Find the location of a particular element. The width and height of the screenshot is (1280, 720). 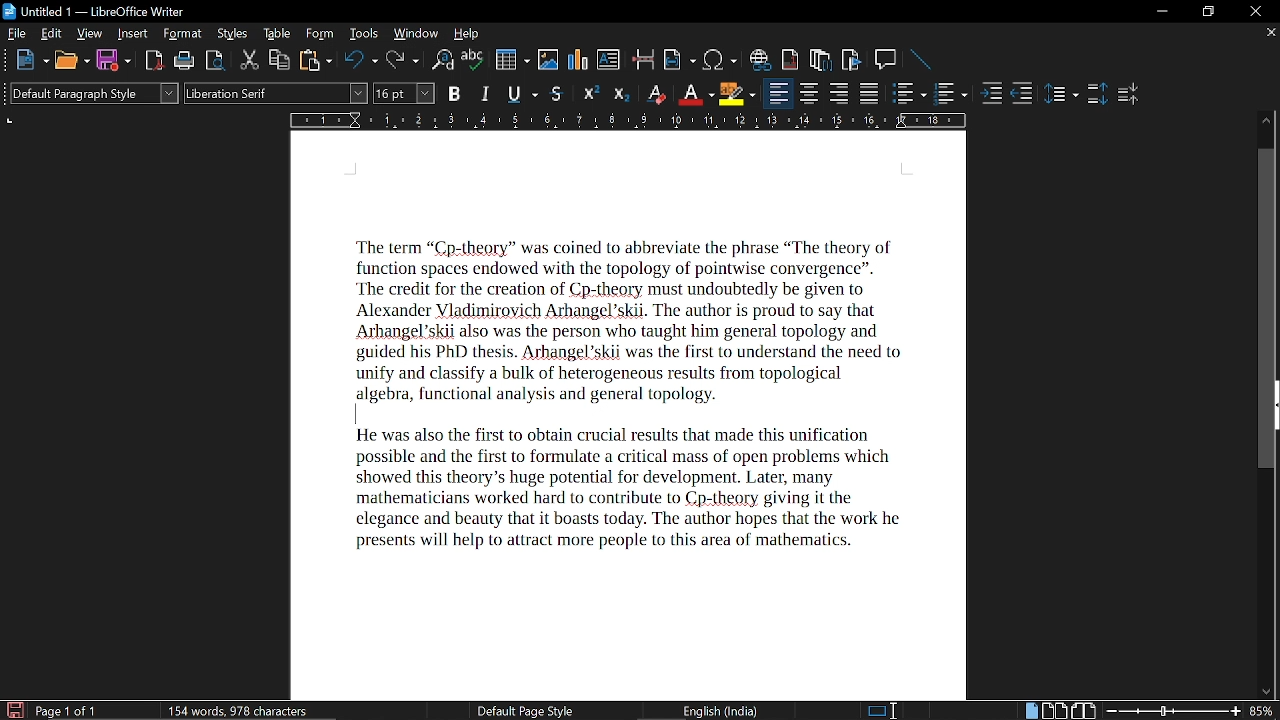

restore down is located at coordinates (1206, 11).